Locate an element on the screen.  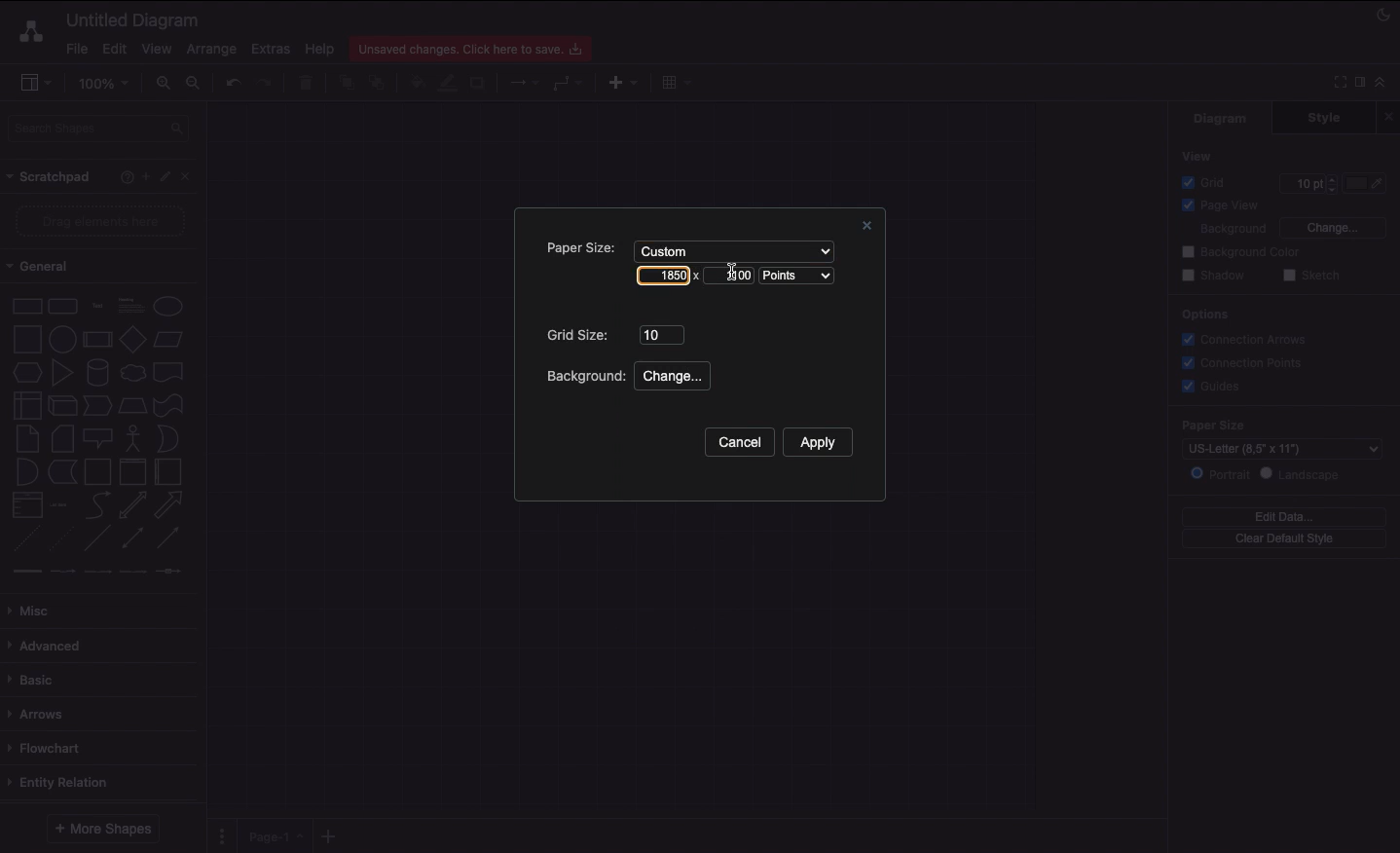
Curved arrow is located at coordinates (97, 503).